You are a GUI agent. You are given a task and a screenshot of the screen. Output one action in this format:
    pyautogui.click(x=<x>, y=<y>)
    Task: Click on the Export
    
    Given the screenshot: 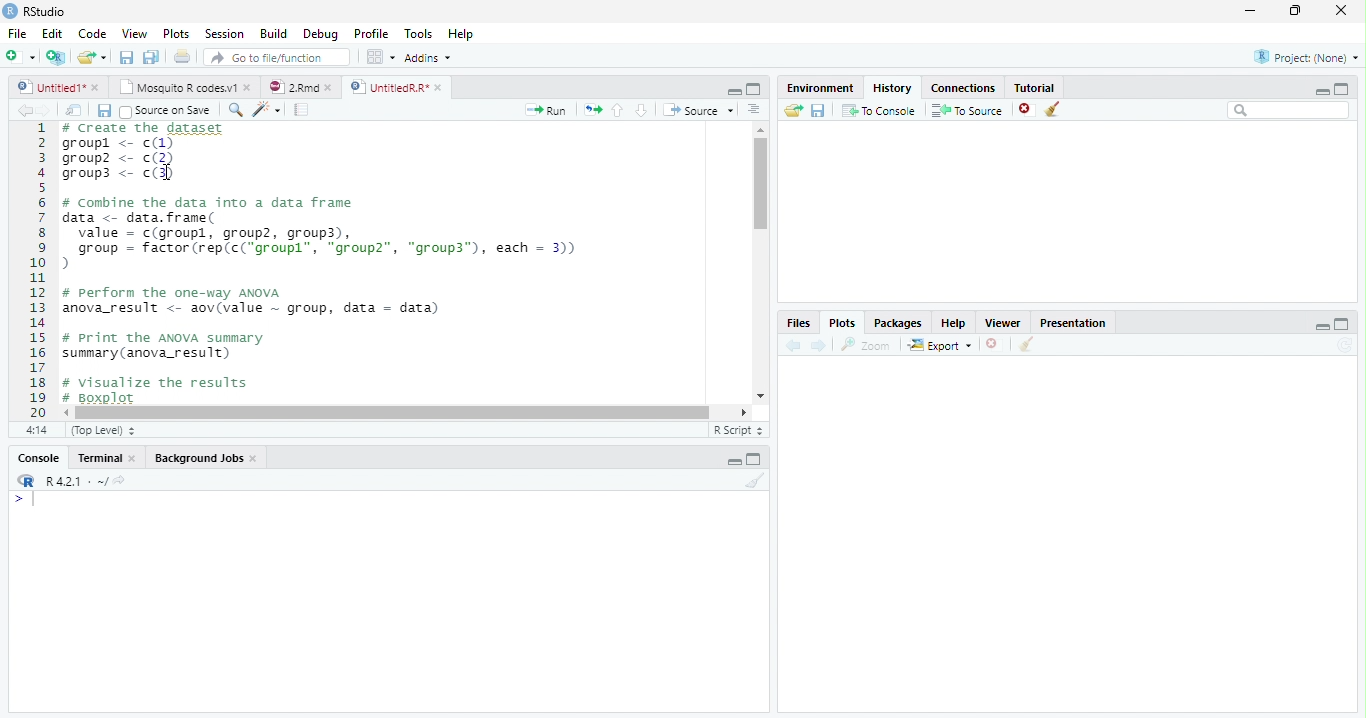 What is the action you would take?
    pyautogui.click(x=941, y=345)
    